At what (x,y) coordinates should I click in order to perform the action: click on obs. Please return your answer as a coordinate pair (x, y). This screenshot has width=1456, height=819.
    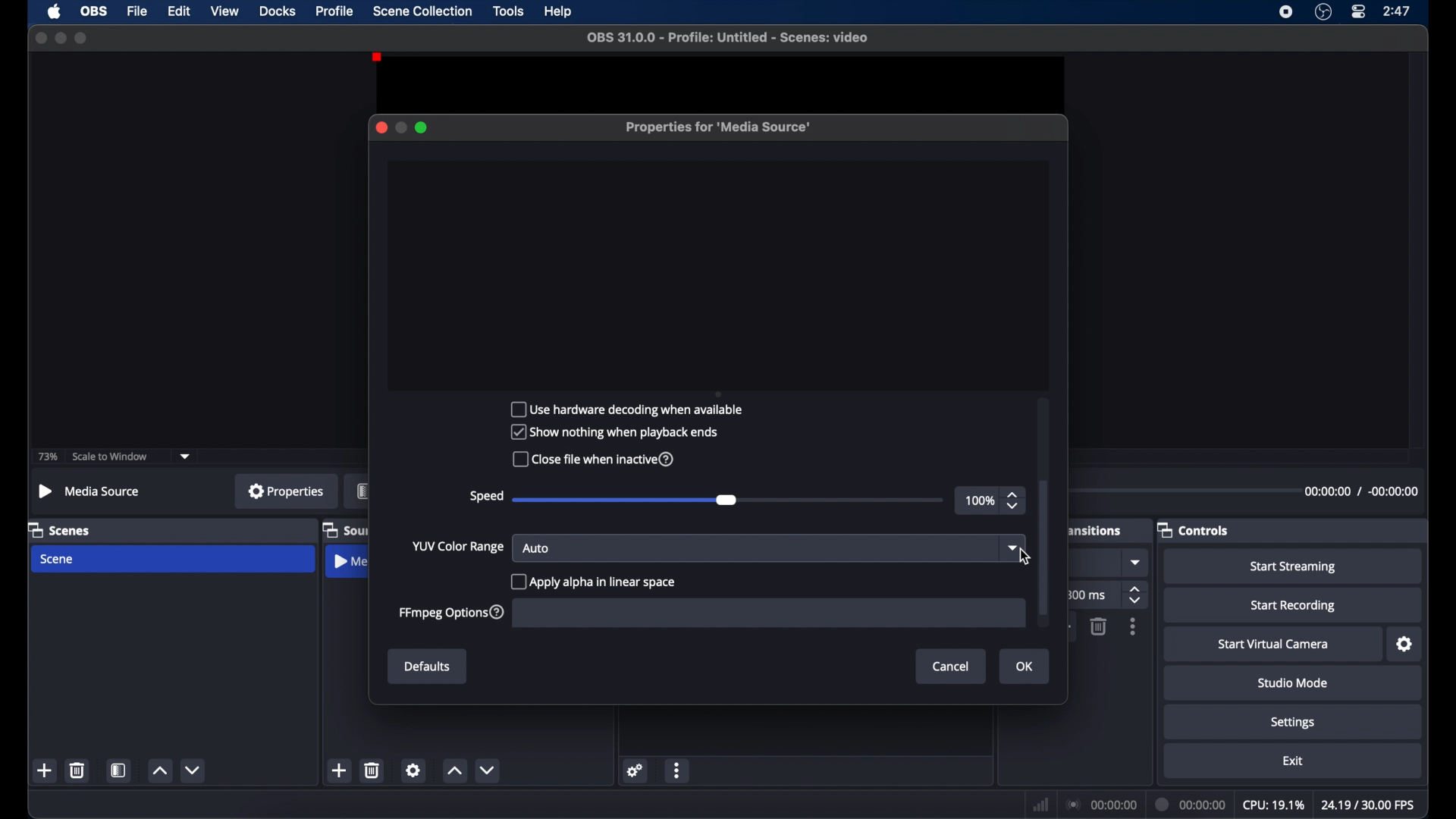
    Looking at the image, I should click on (94, 11).